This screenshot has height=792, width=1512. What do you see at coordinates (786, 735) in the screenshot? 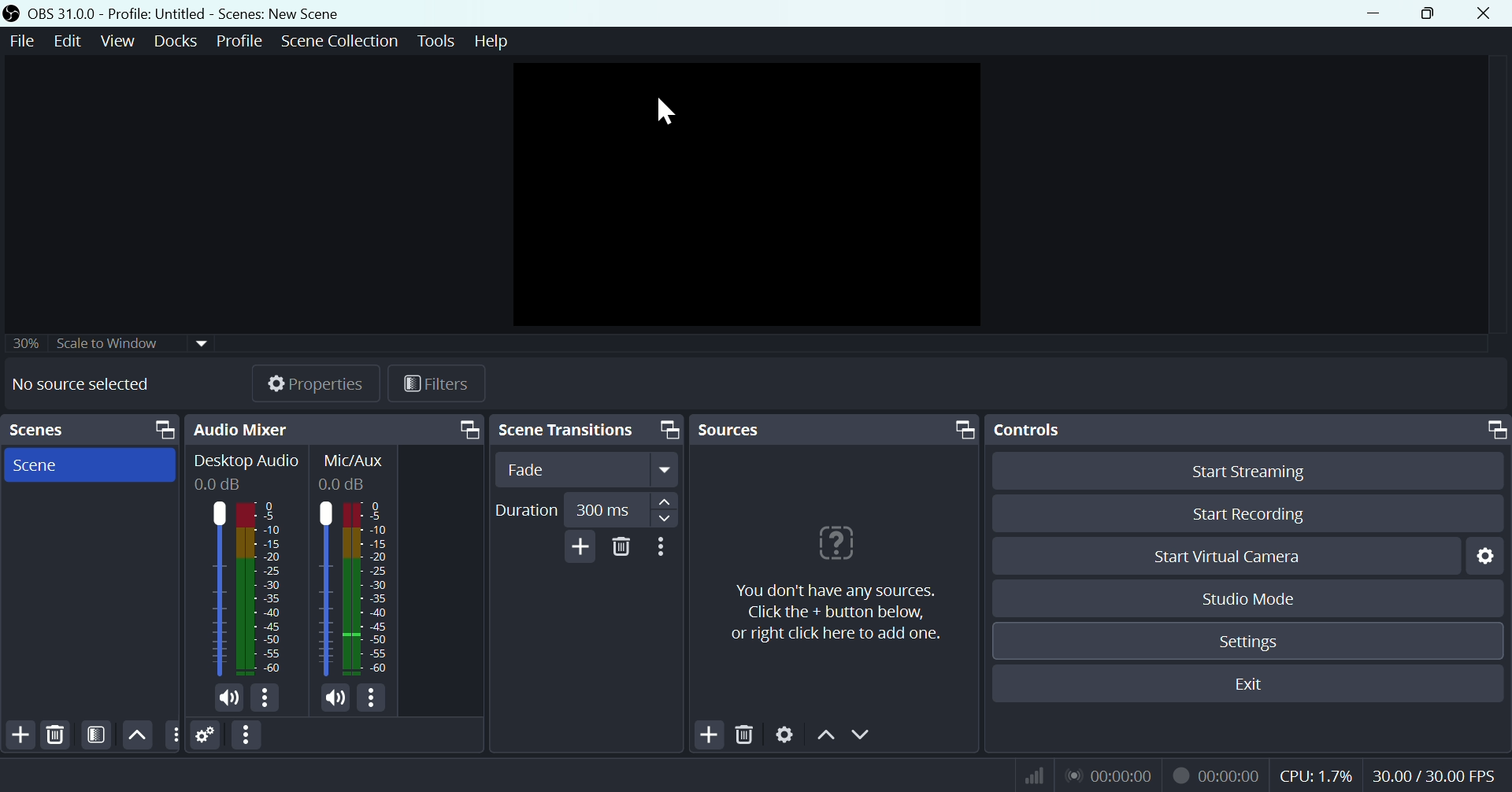
I see `Settings` at bounding box center [786, 735].